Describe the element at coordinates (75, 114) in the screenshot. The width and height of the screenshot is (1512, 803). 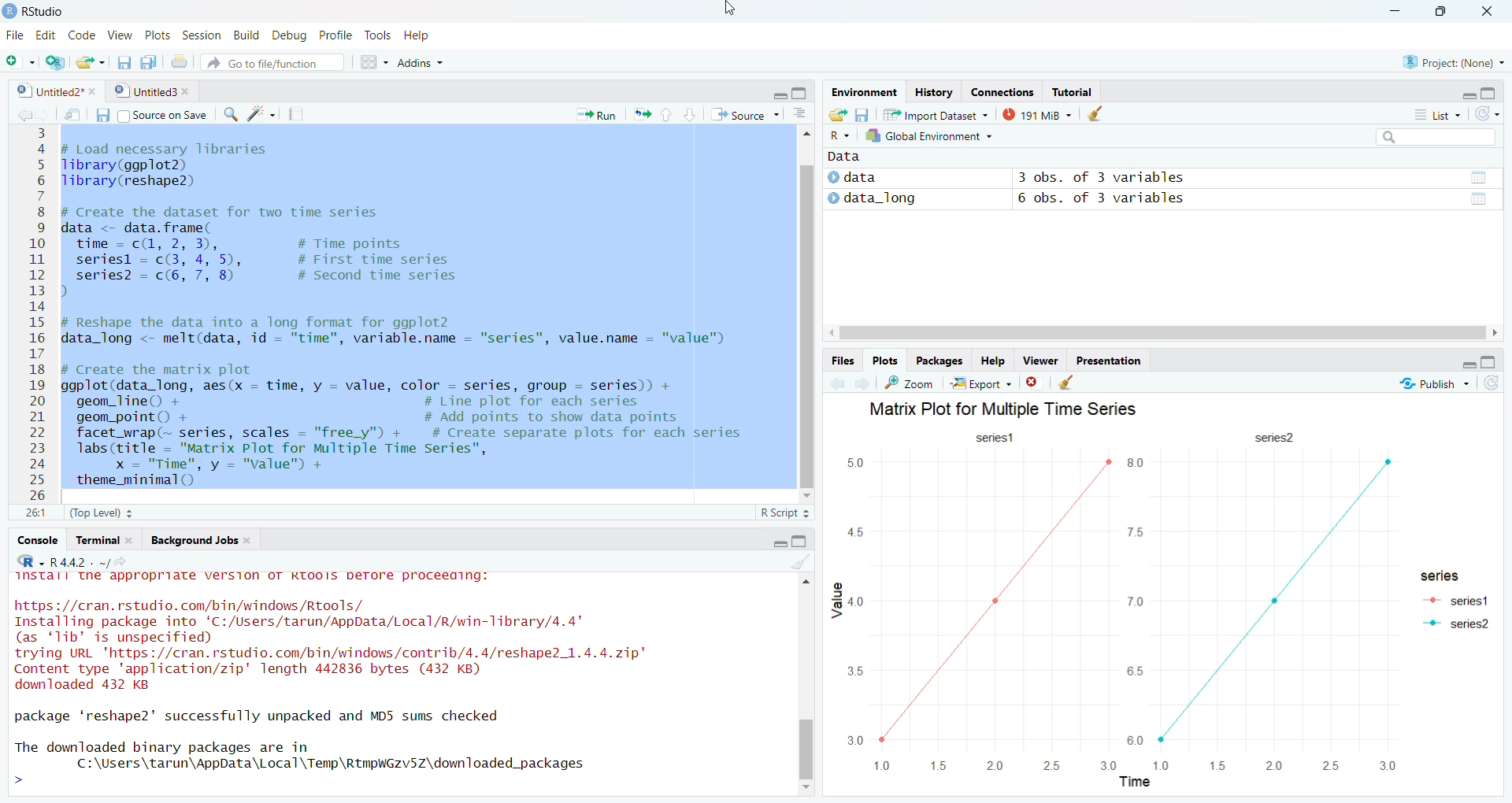
I see `show in window` at that location.